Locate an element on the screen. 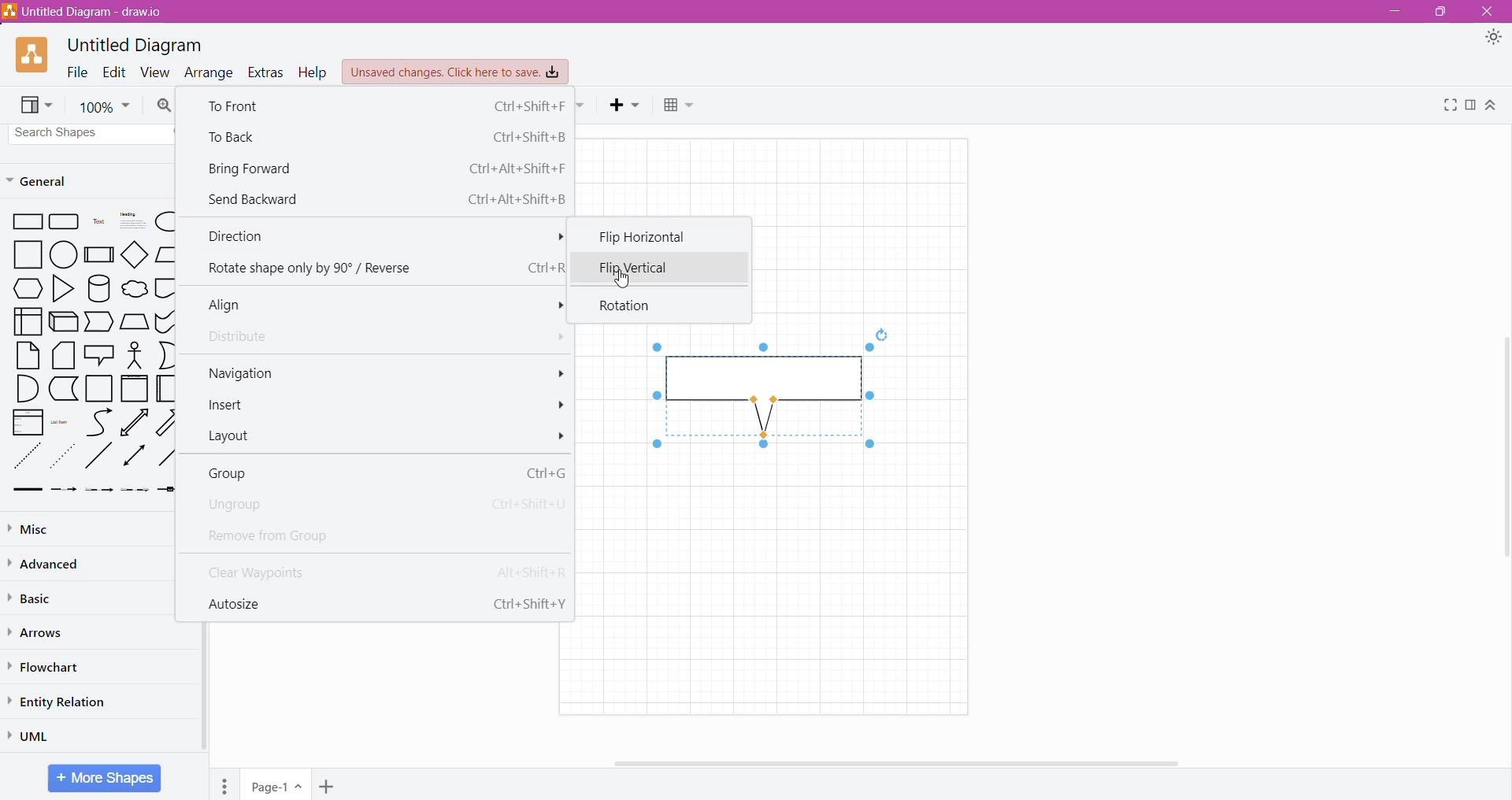 The image size is (1512, 800). preparation is located at coordinates (24, 289).